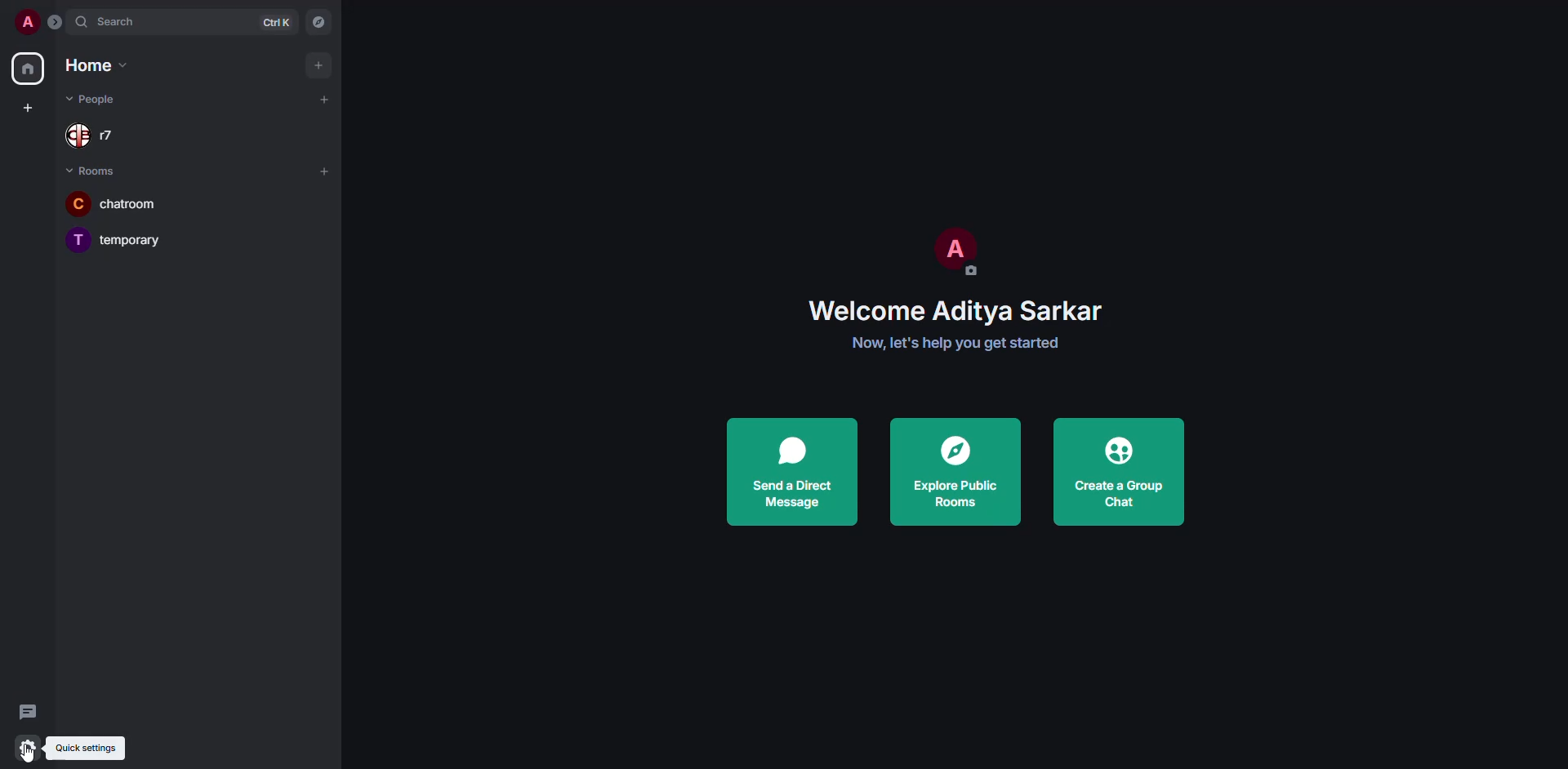 The width and height of the screenshot is (1568, 769). What do you see at coordinates (275, 23) in the screenshot?
I see `ctrl K` at bounding box center [275, 23].